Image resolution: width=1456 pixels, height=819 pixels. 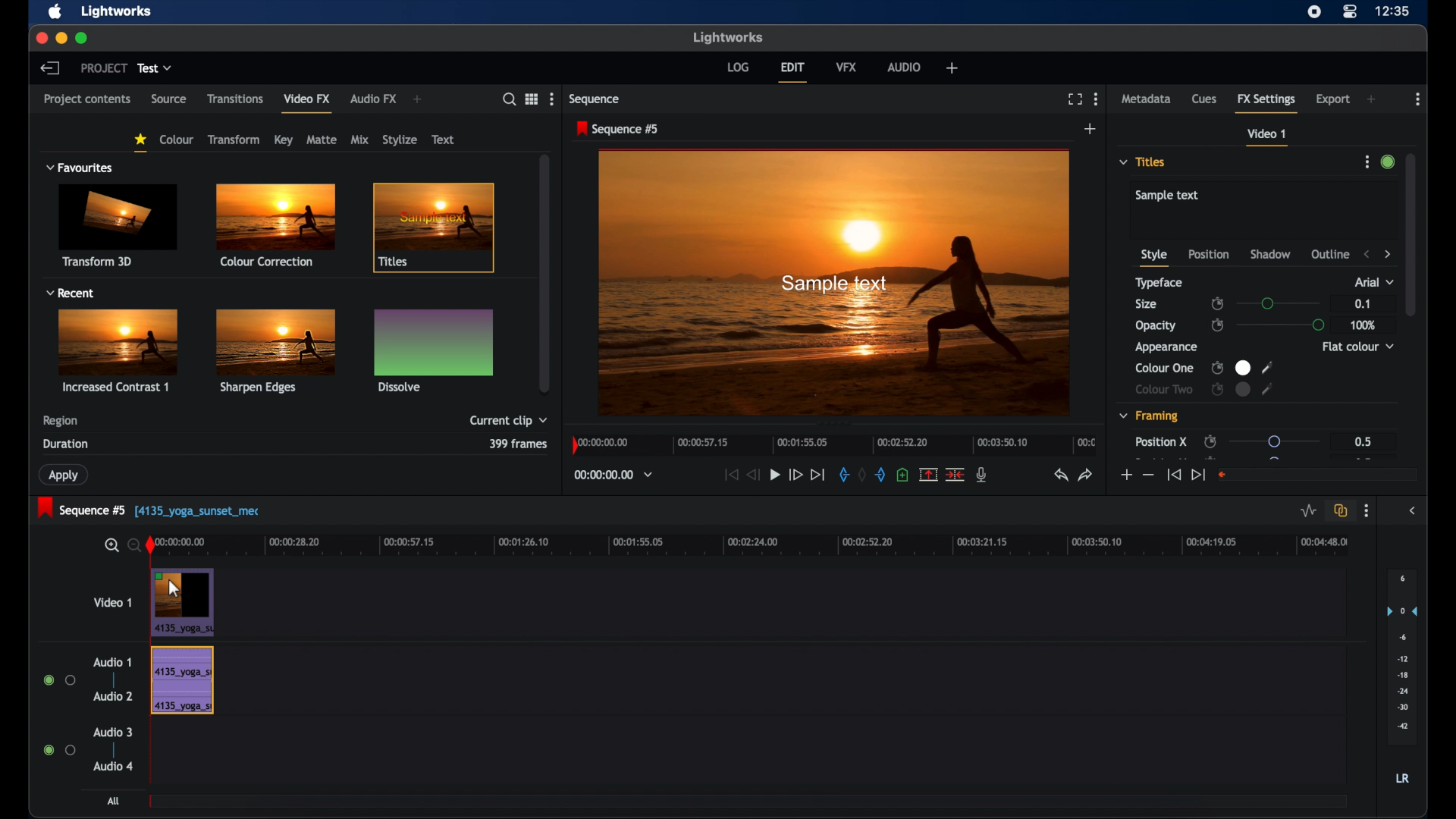 What do you see at coordinates (847, 67) in the screenshot?
I see `vfx` at bounding box center [847, 67].